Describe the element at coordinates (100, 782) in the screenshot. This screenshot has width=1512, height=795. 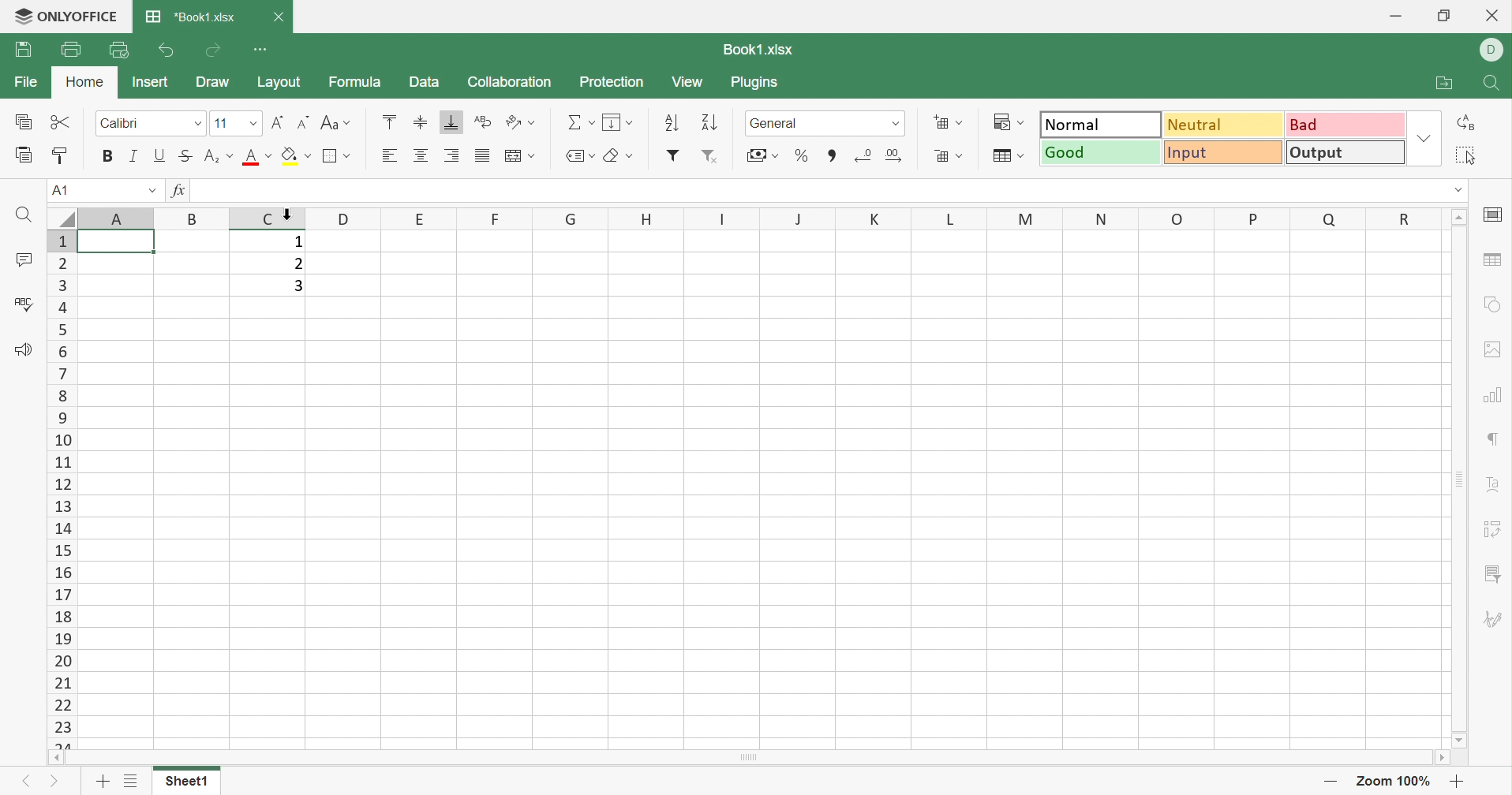
I see `Add Sheet` at that location.